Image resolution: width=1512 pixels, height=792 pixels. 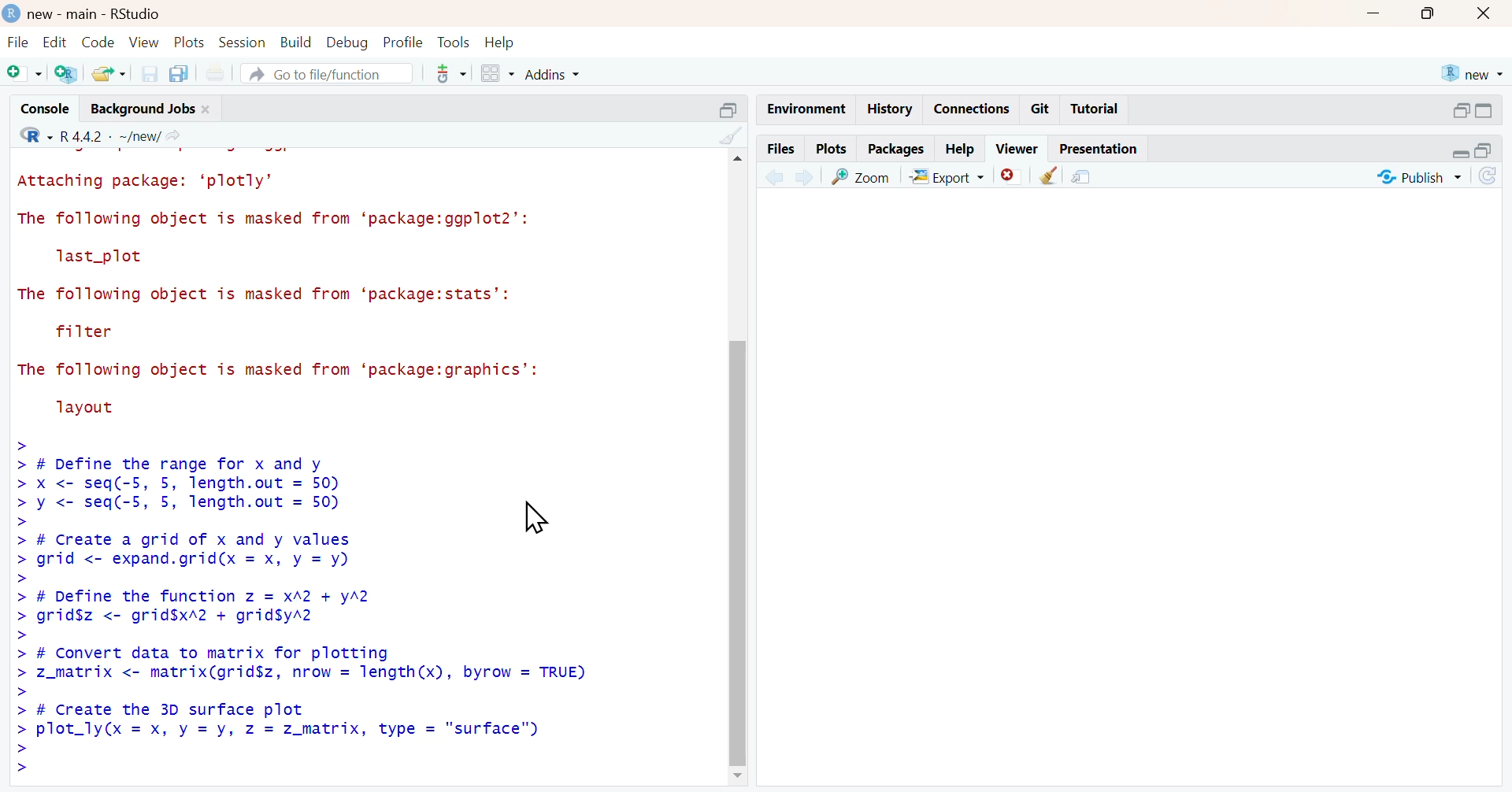 I want to click on connections, so click(x=971, y=109).